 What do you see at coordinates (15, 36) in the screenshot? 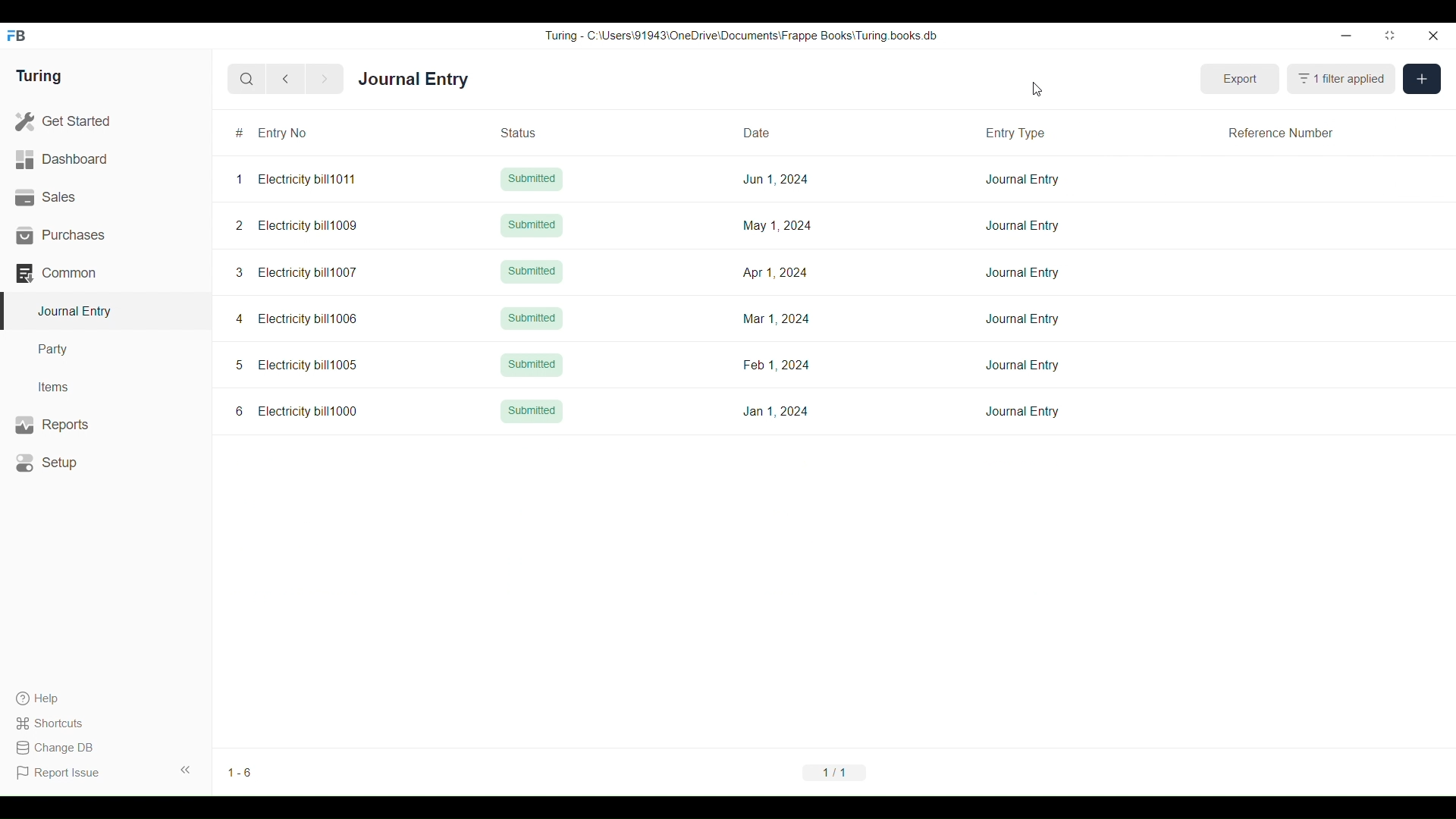
I see `Frappe Books logo` at bounding box center [15, 36].